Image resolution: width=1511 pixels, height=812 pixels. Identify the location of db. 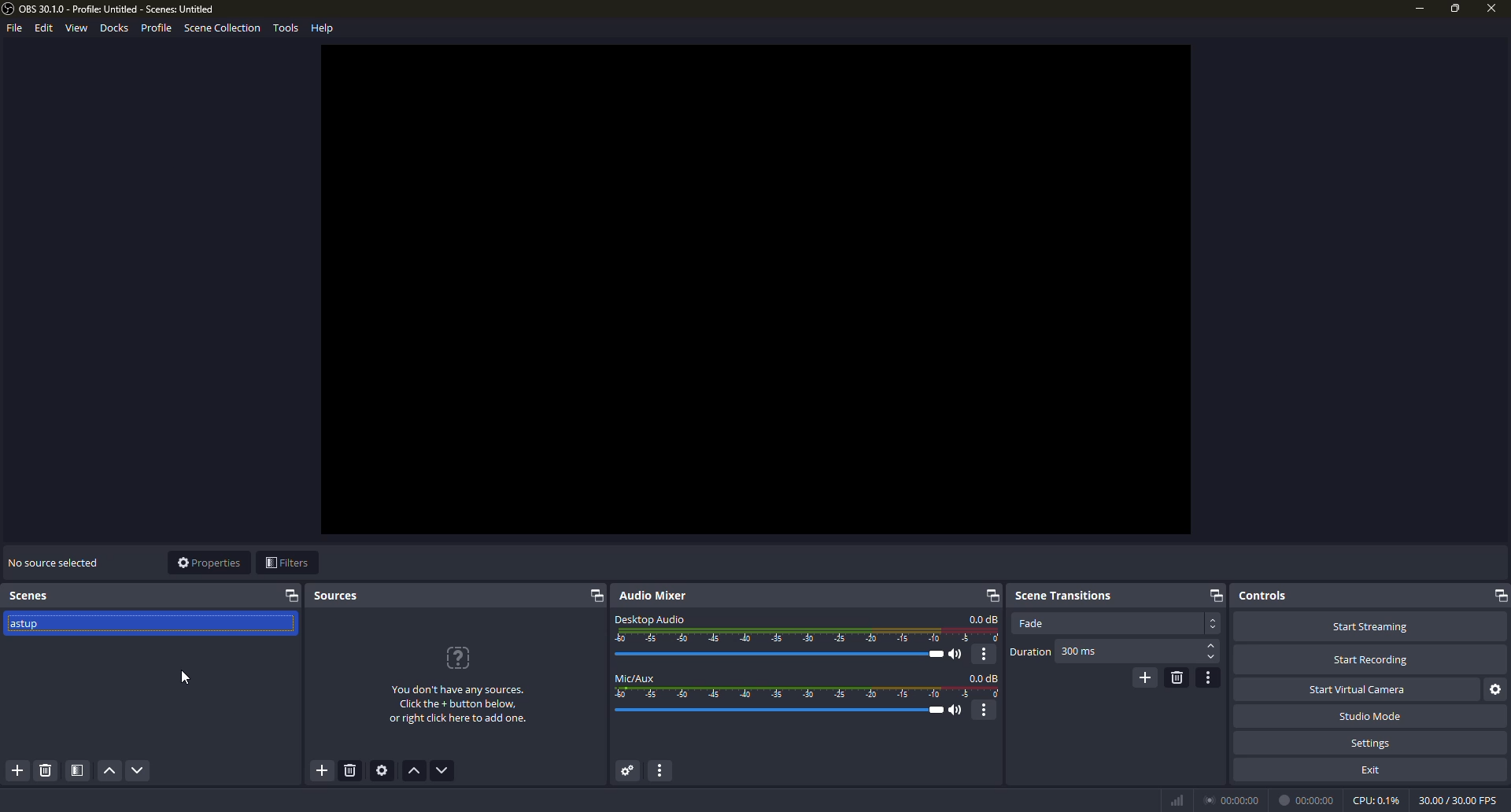
(984, 619).